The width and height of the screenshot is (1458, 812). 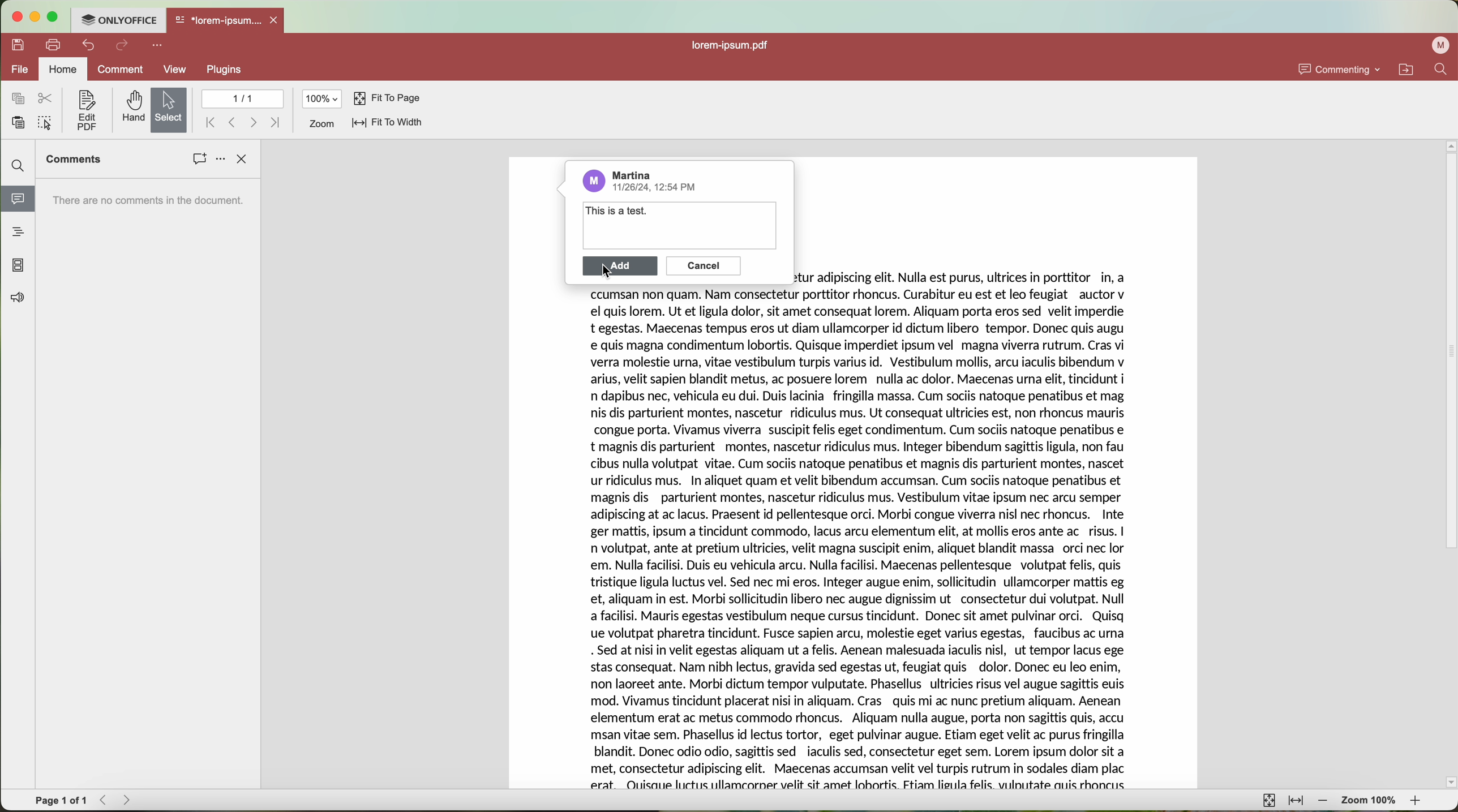 I want to click on save, so click(x=15, y=44).